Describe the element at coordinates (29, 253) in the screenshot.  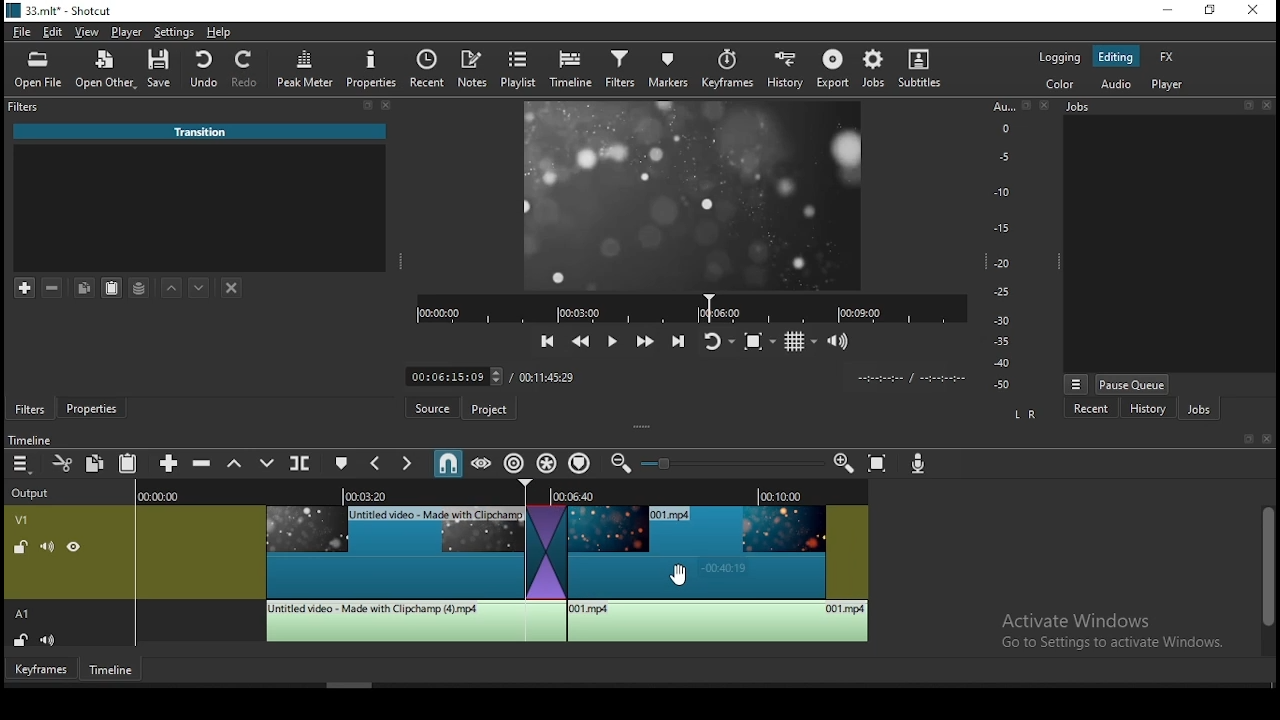
I see `A1` at that location.